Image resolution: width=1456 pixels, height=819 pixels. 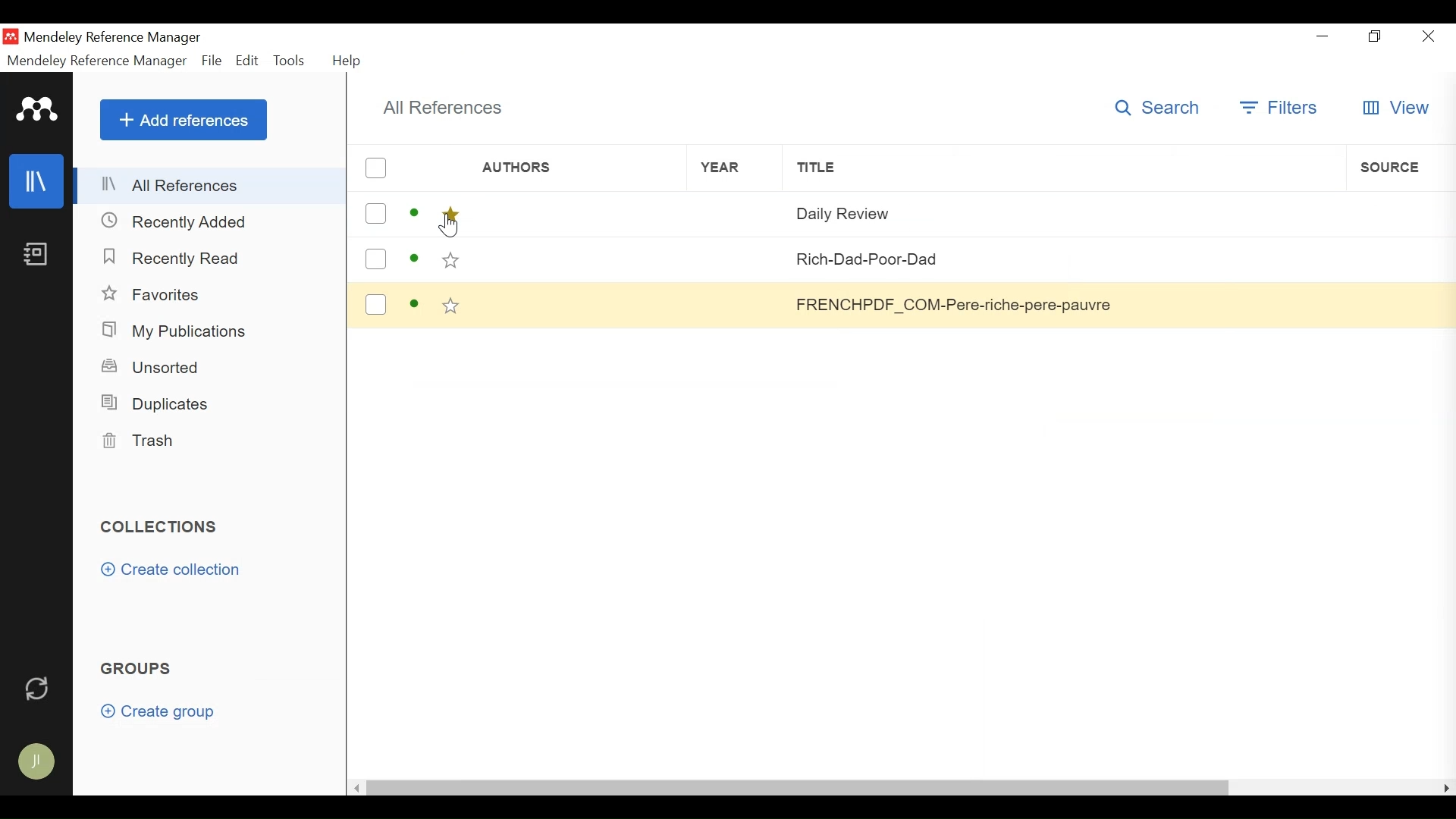 What do you see at coordinates (160, 525) in the screenshot?
I see `Collection` at bounding box center [160, 525].